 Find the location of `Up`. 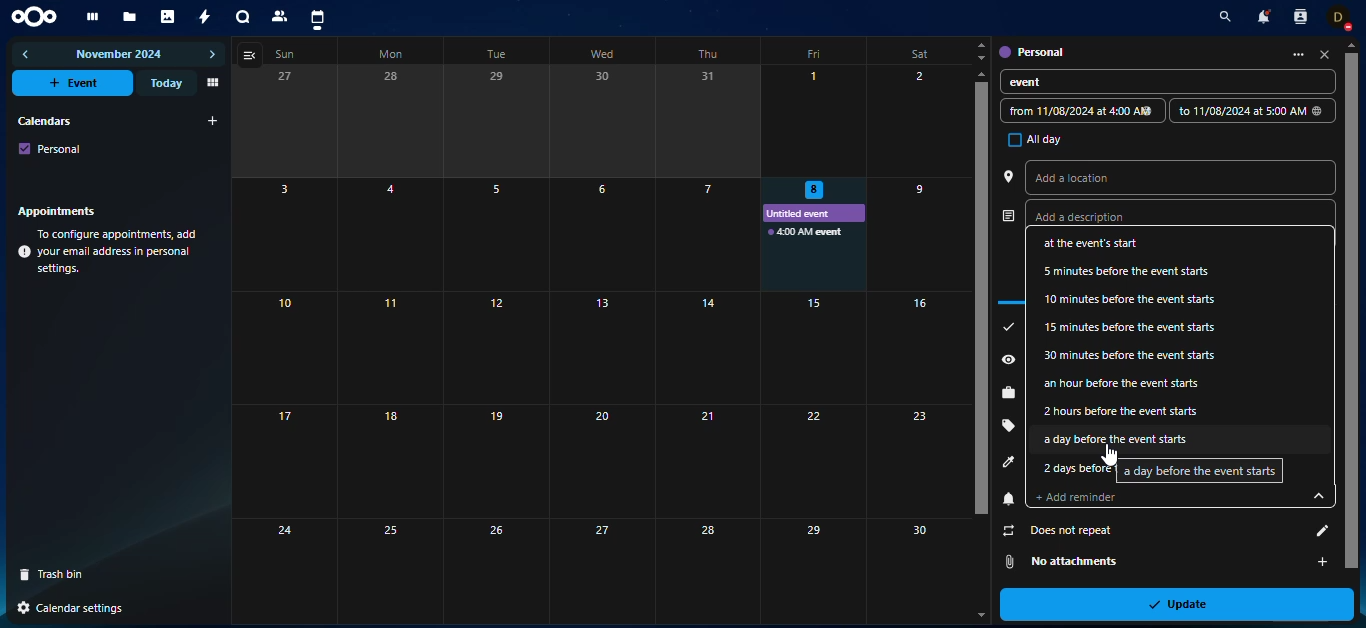

Up is located at coordinates (982, 45).